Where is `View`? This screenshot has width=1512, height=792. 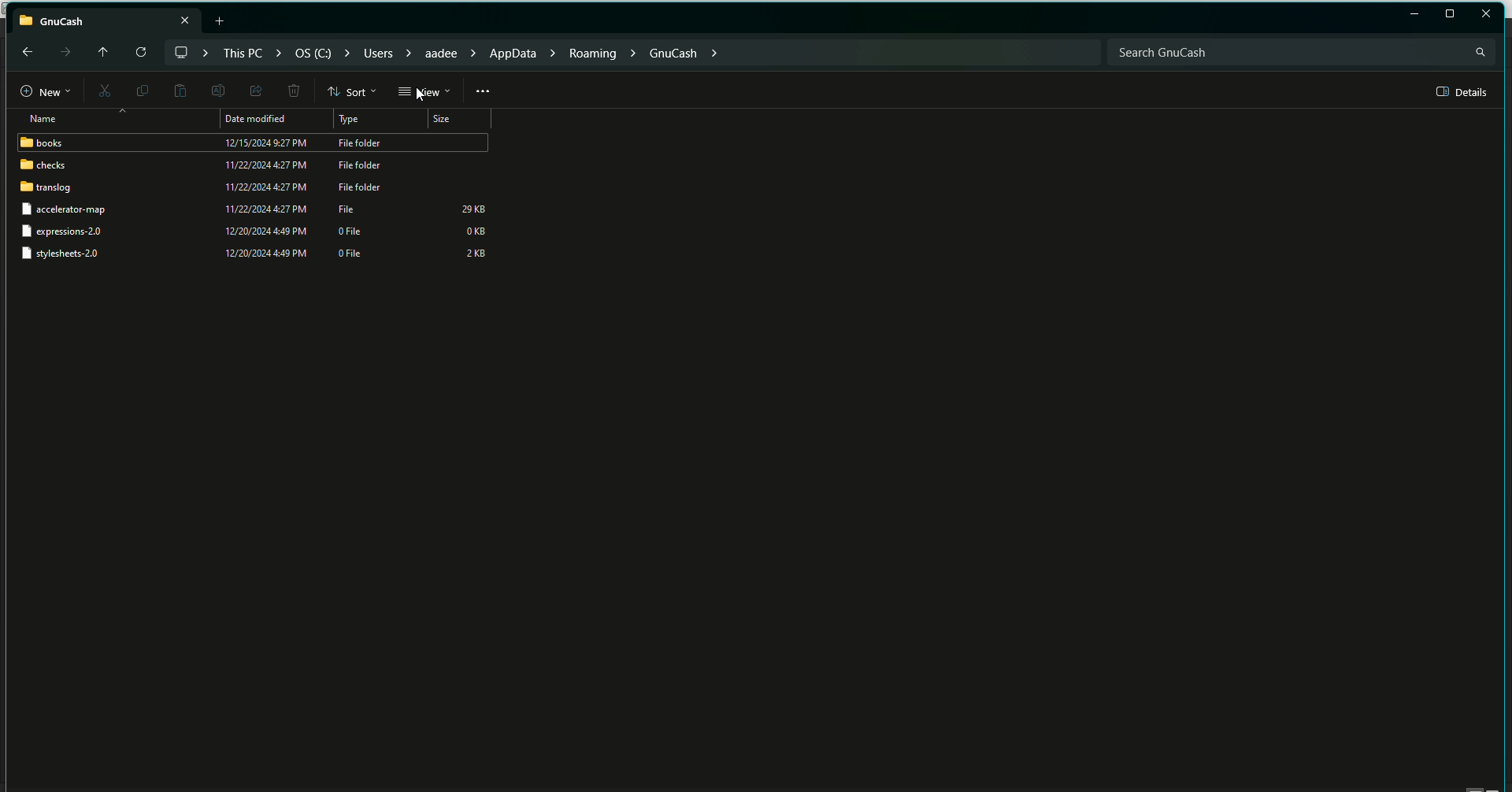 View is located at coordinates (424, 92).